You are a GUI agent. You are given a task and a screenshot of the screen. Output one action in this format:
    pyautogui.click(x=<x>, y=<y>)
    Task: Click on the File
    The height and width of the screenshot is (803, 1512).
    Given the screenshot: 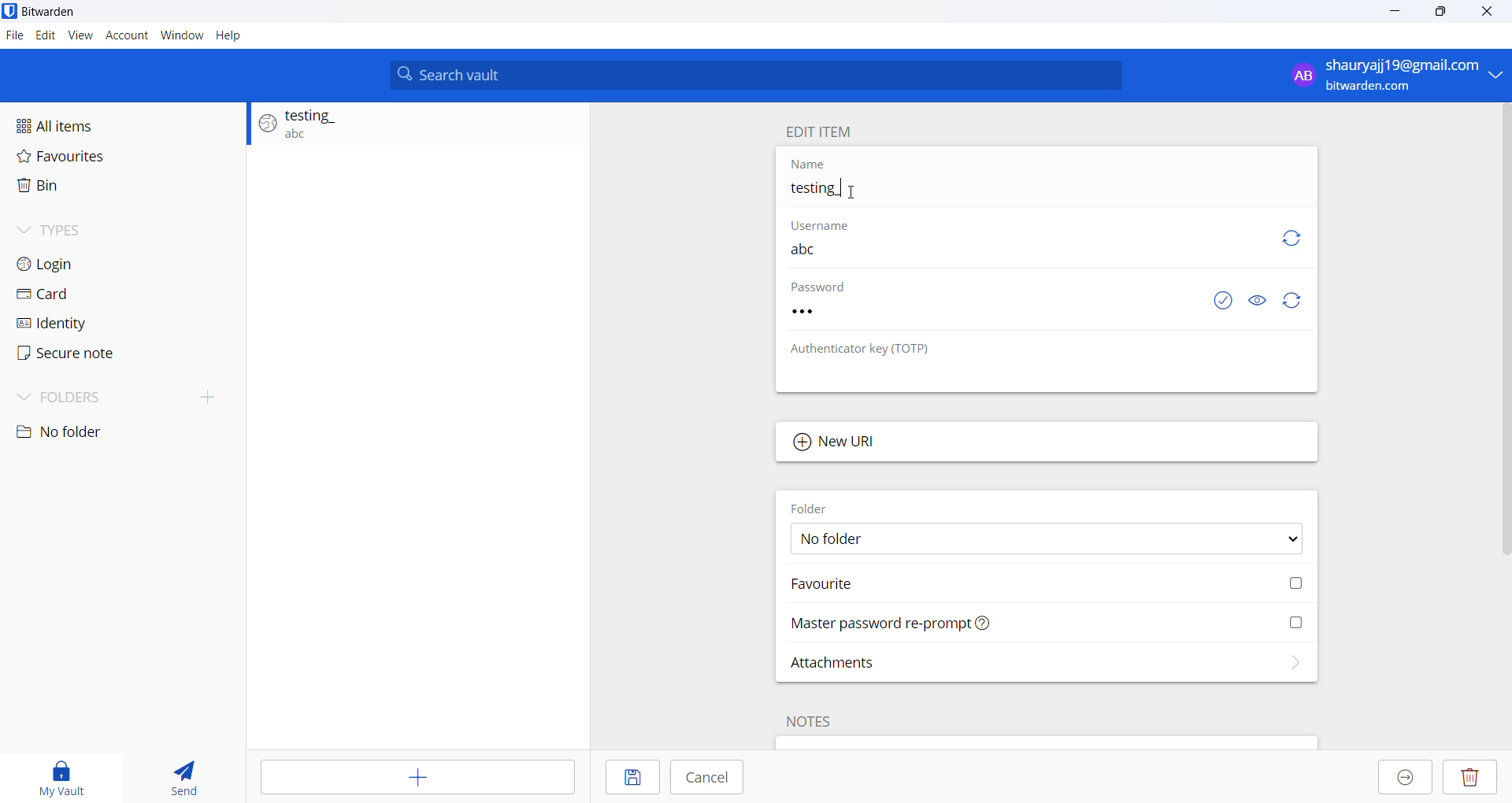 What is the action you would take?
    pyautogui.click(x=15, y=37)
    